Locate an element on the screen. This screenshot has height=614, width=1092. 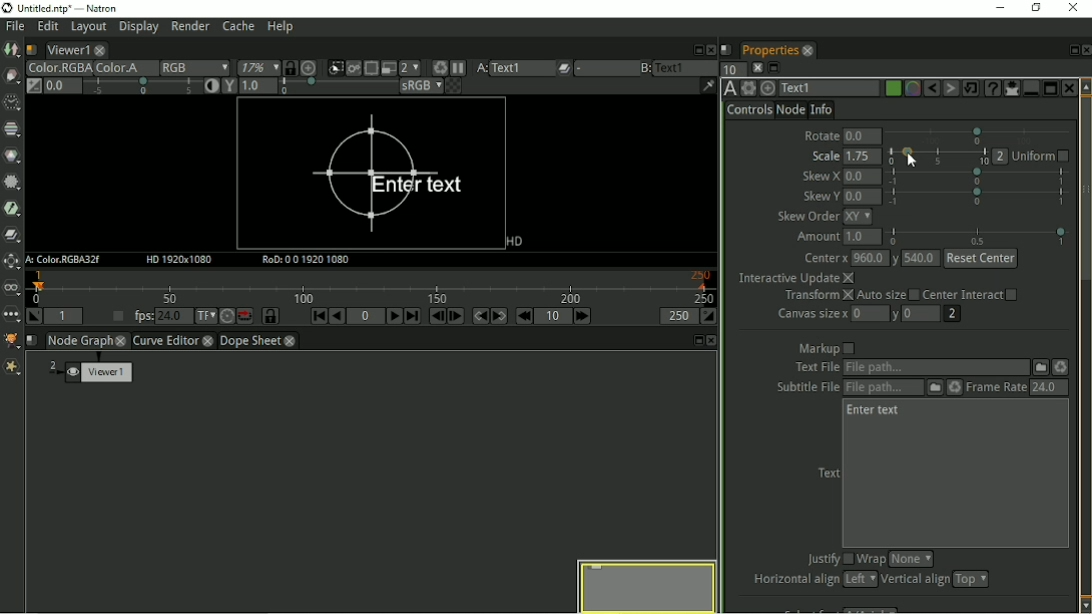
Float pane is located at coordinates (775, 68).